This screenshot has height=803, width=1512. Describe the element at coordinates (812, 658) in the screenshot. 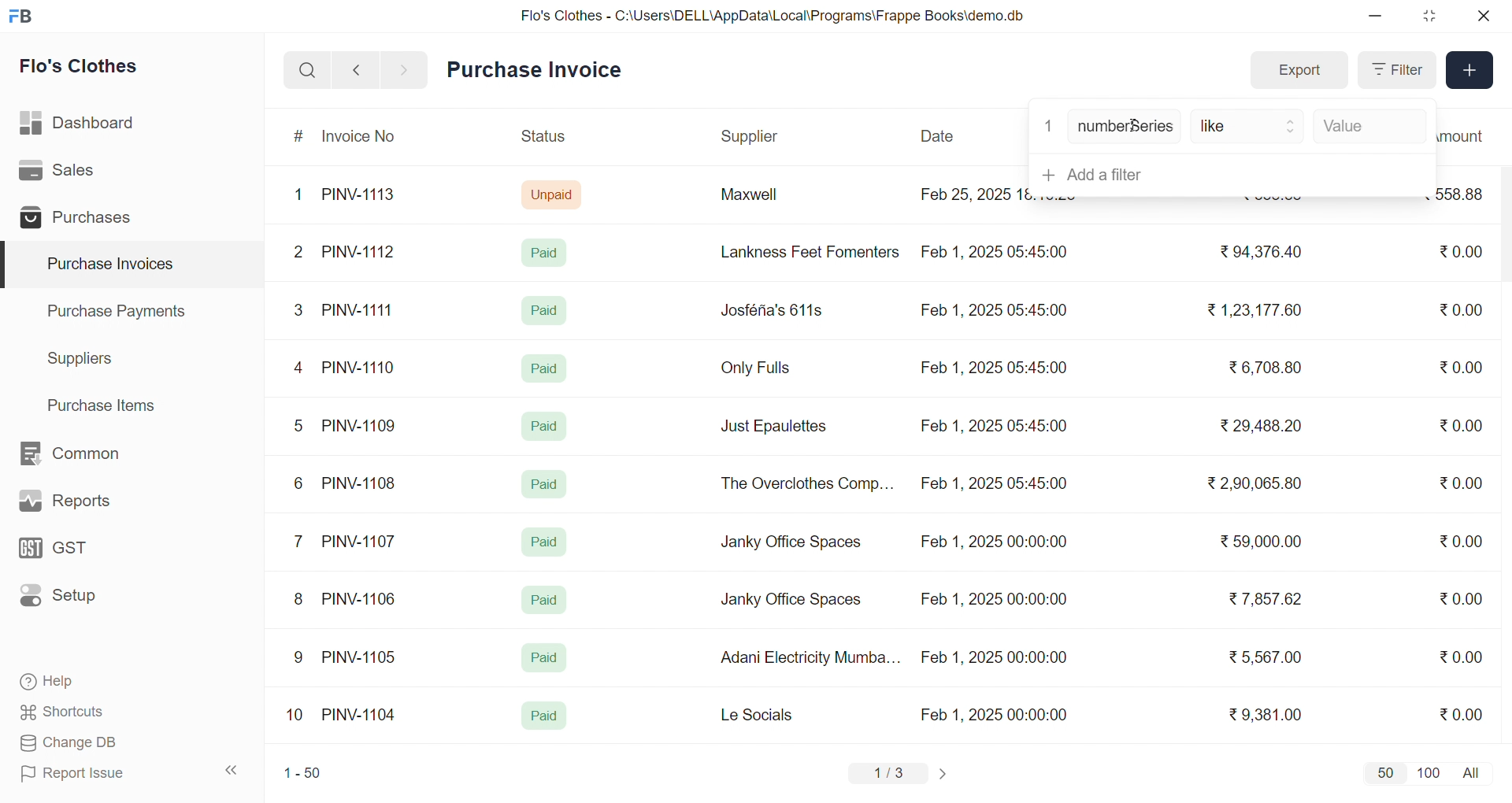

I see `Adani Electricity Mumba...` at that location.